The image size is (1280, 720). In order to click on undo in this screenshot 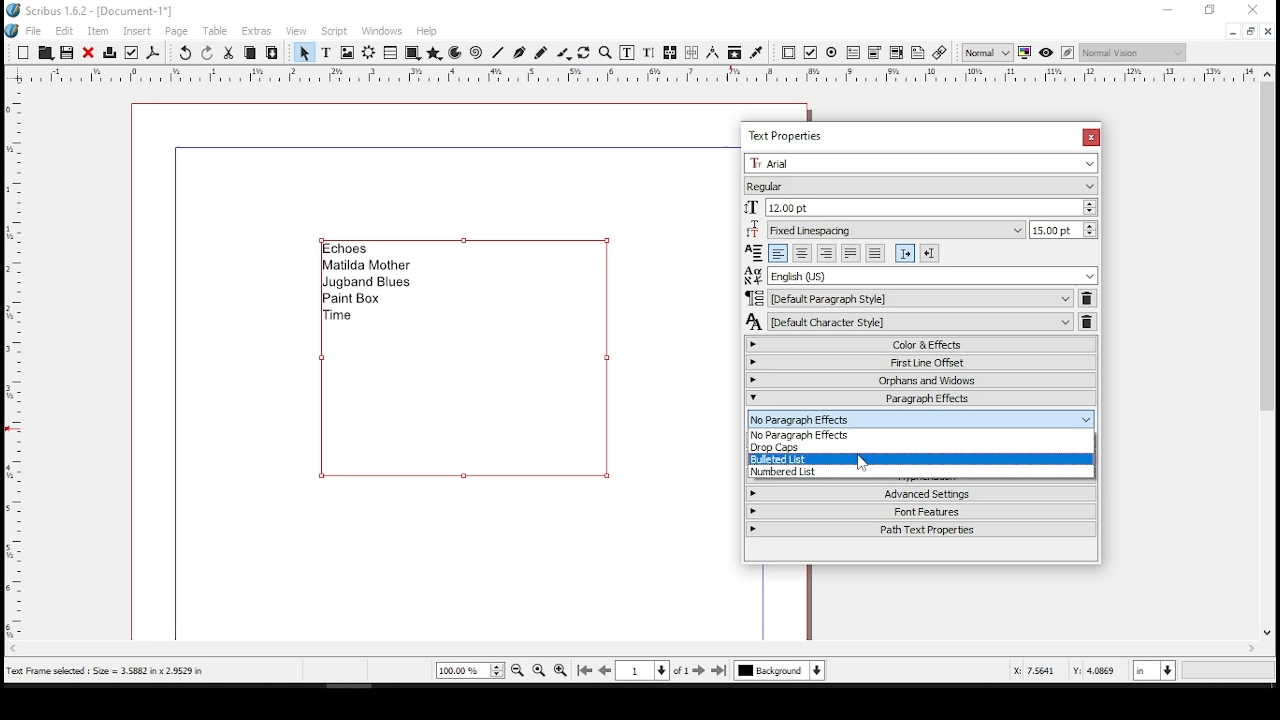, I will do `click(186, 53)`.